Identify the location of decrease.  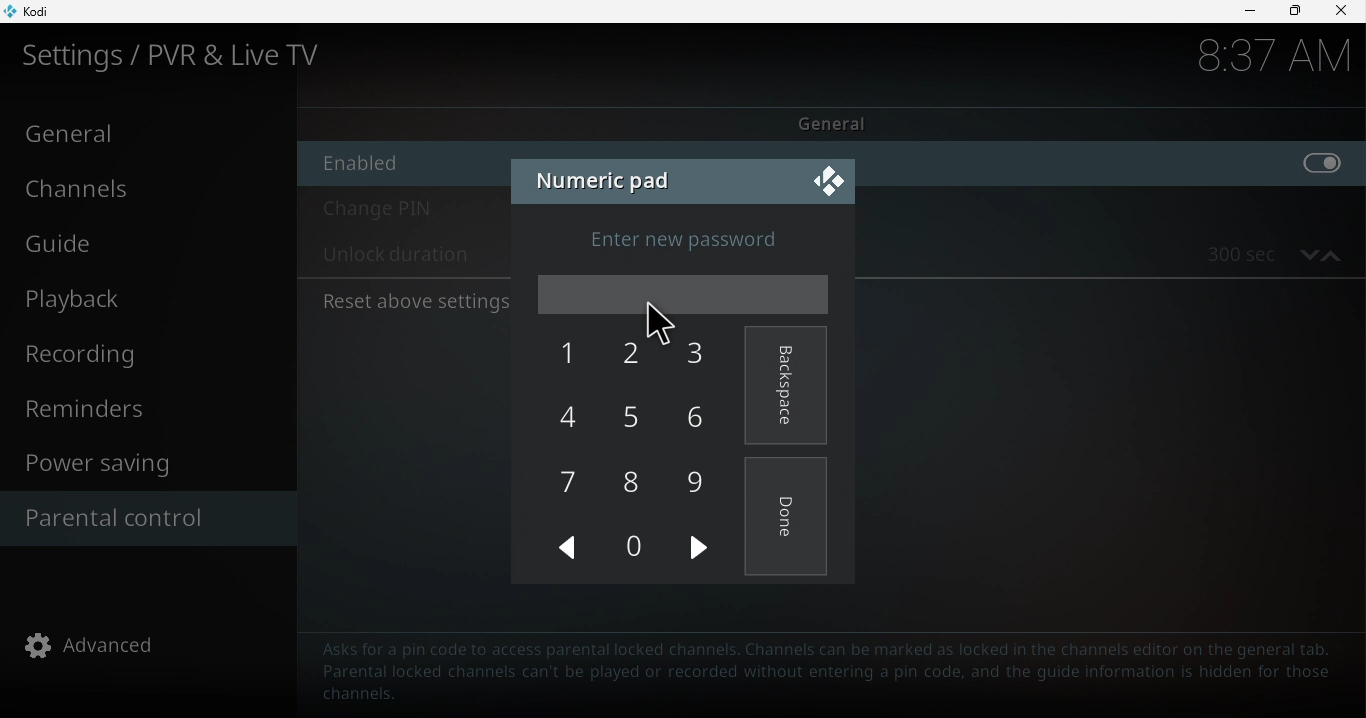
(1306, 253).